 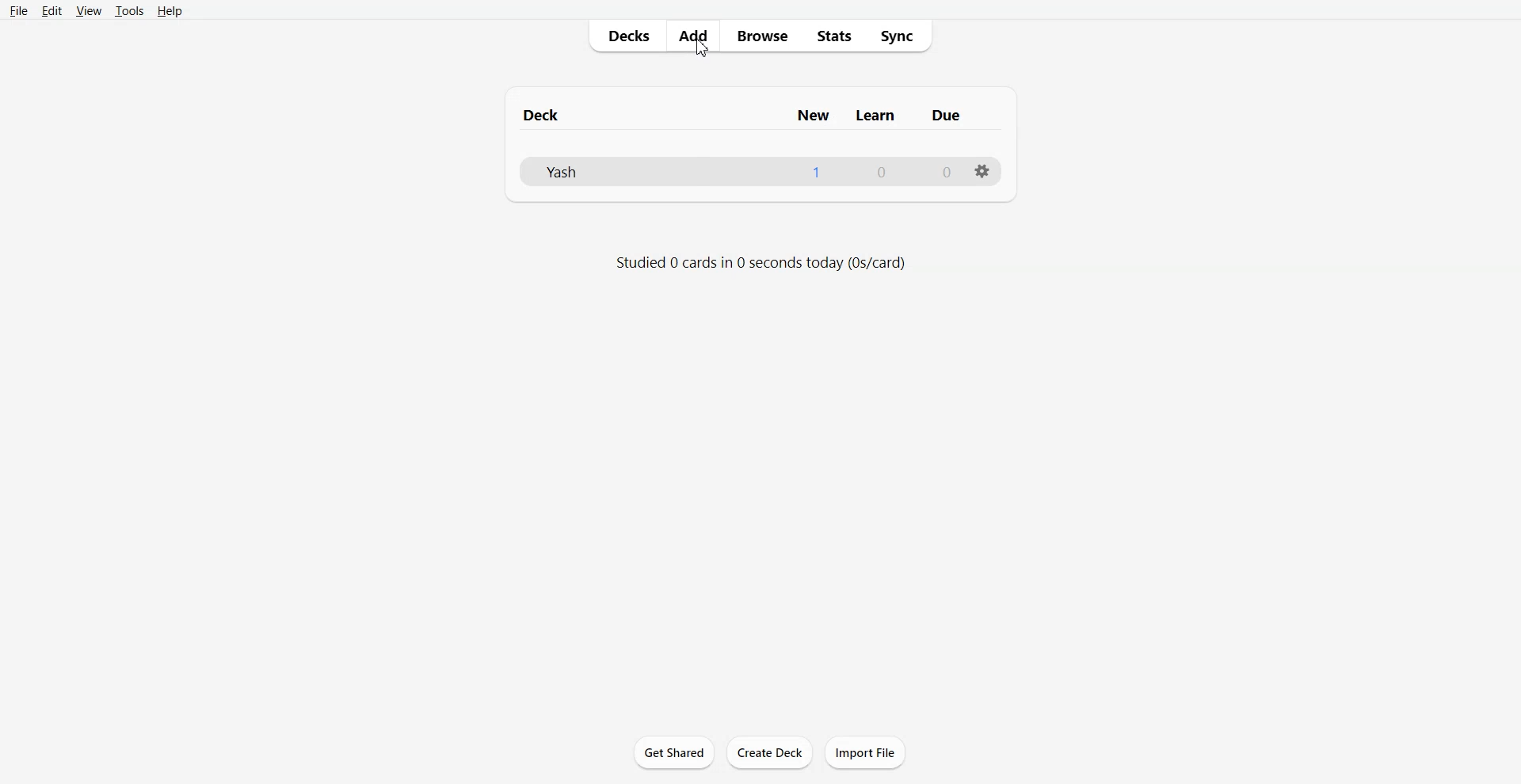 I want to click on create Deck, so click(x=770, y=752).